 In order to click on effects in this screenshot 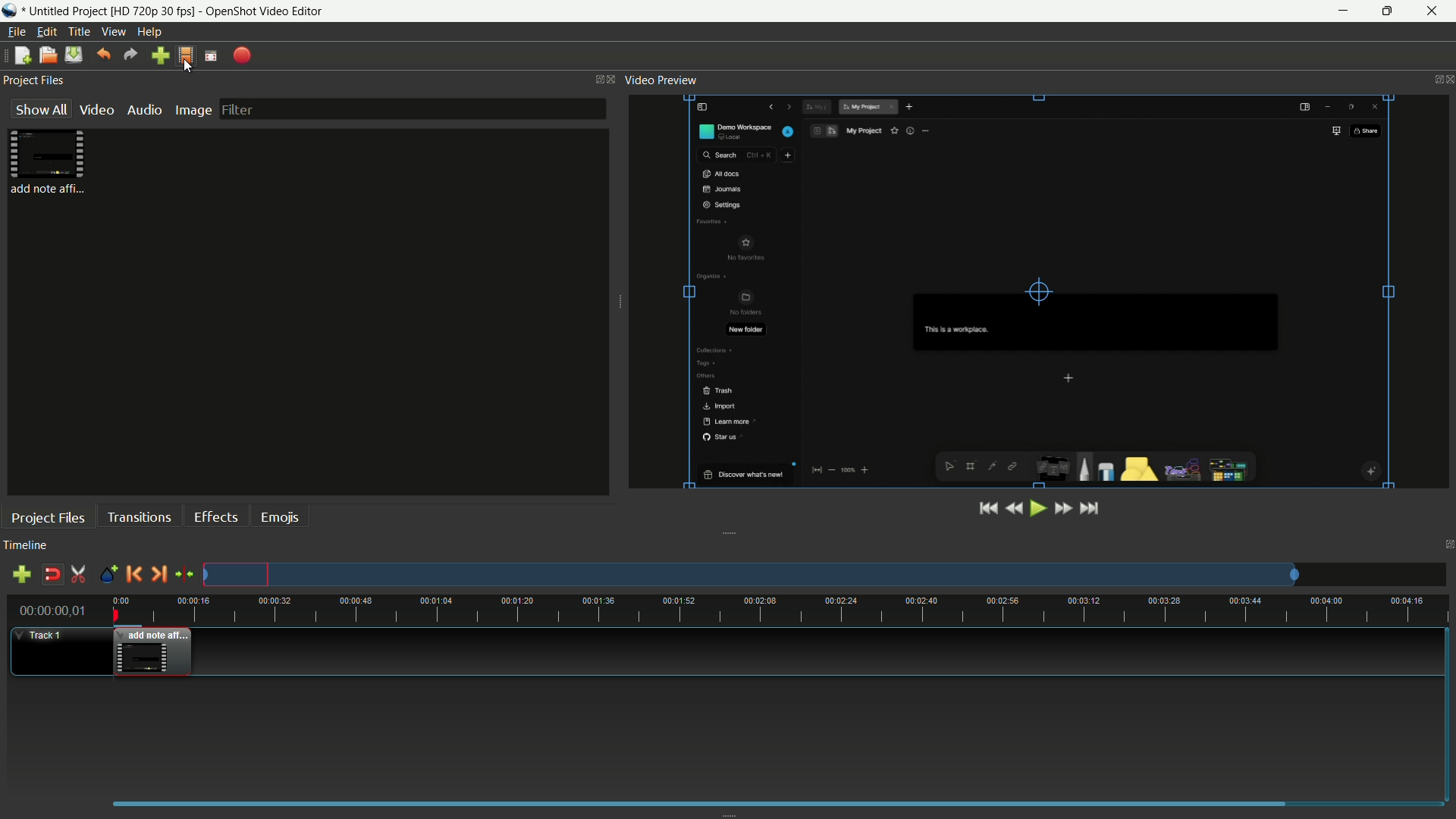, I will do `click(215, 516)`.